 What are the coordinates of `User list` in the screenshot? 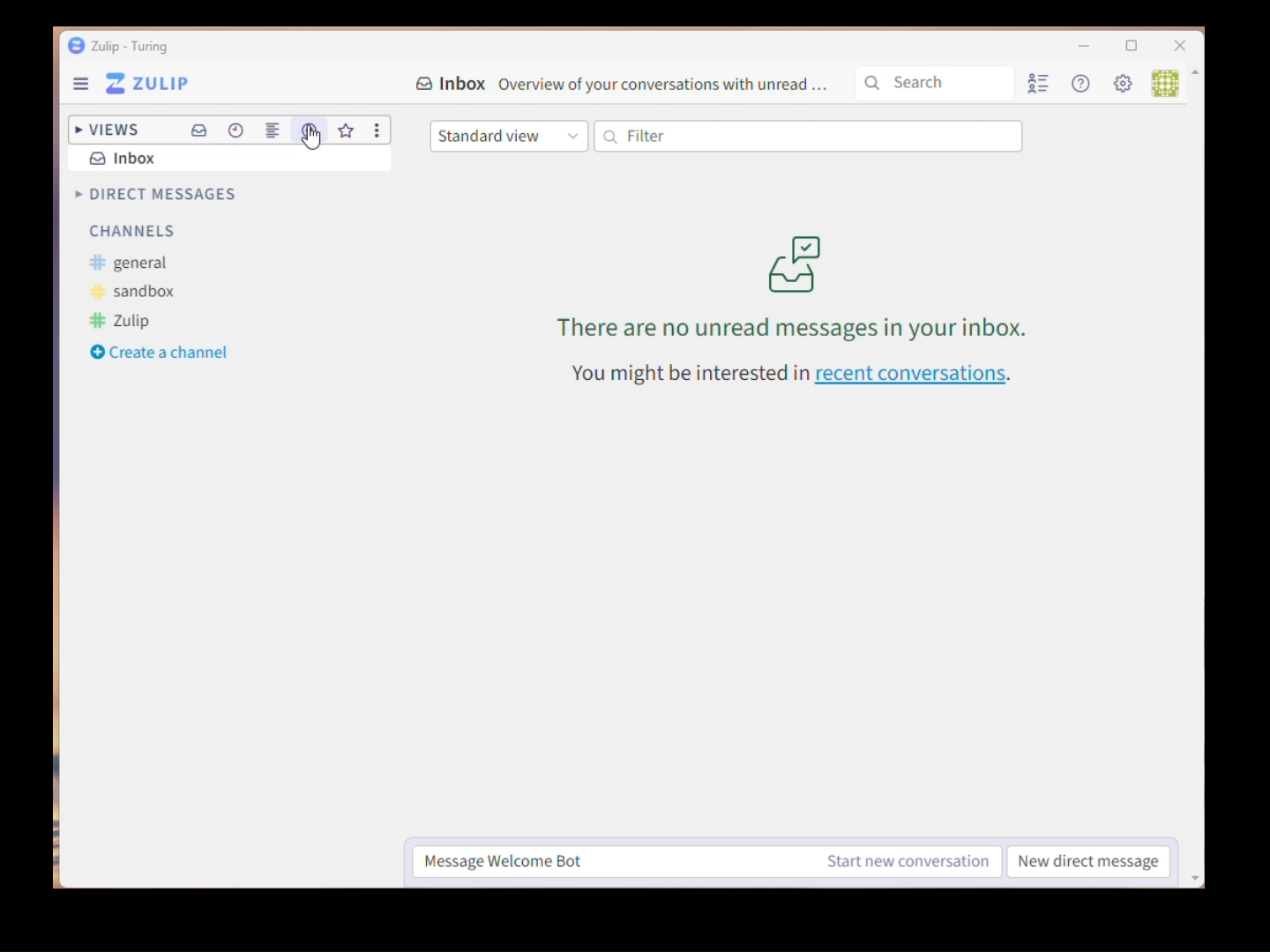 It's located at (1042, 86).